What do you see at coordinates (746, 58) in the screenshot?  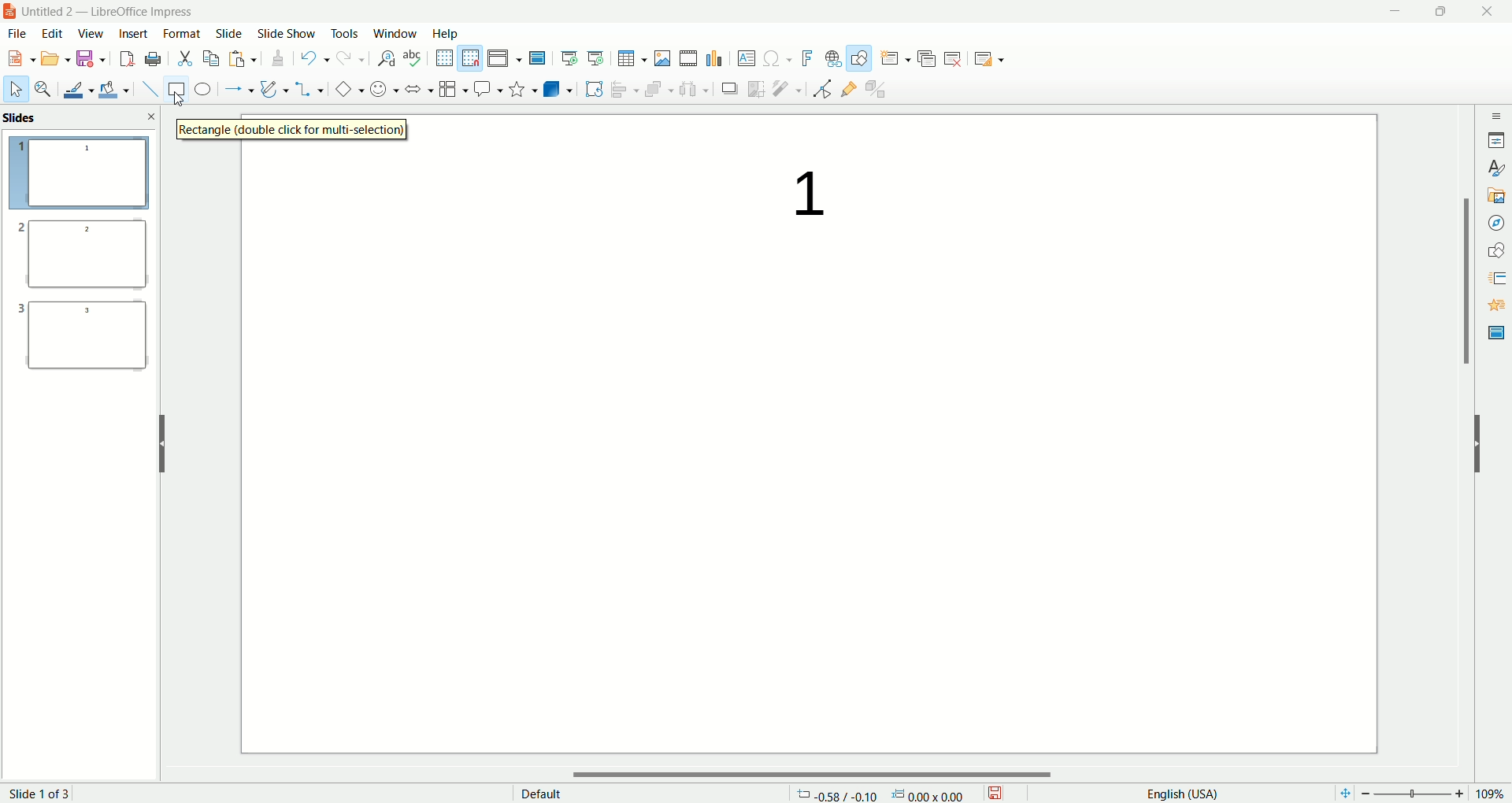 I see `textbox` at bounding box center [746, 58].